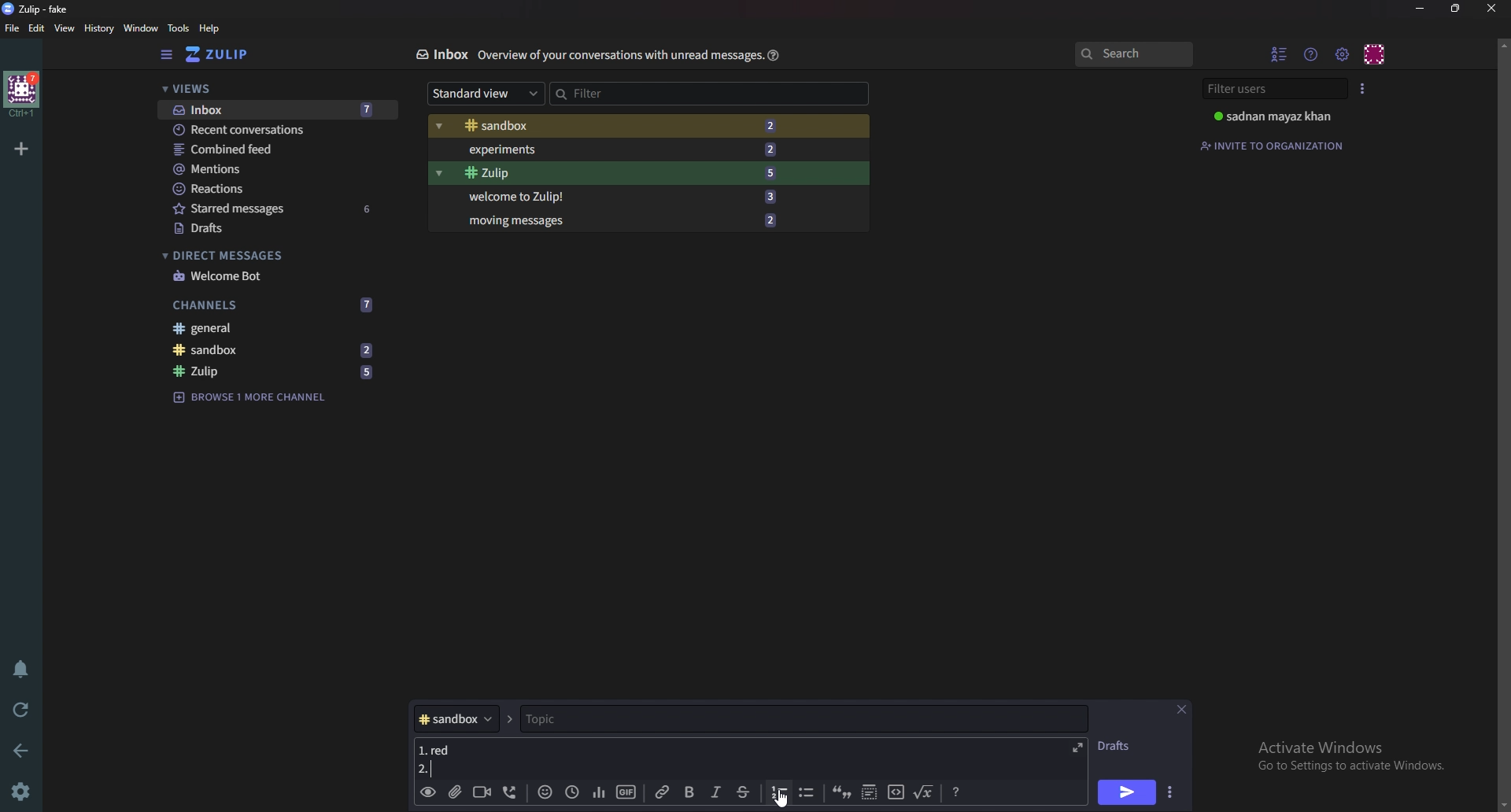 The height and width of the screenshot is (812, 1511). I want to click on Welcome to Zulip, so click(618, 197).